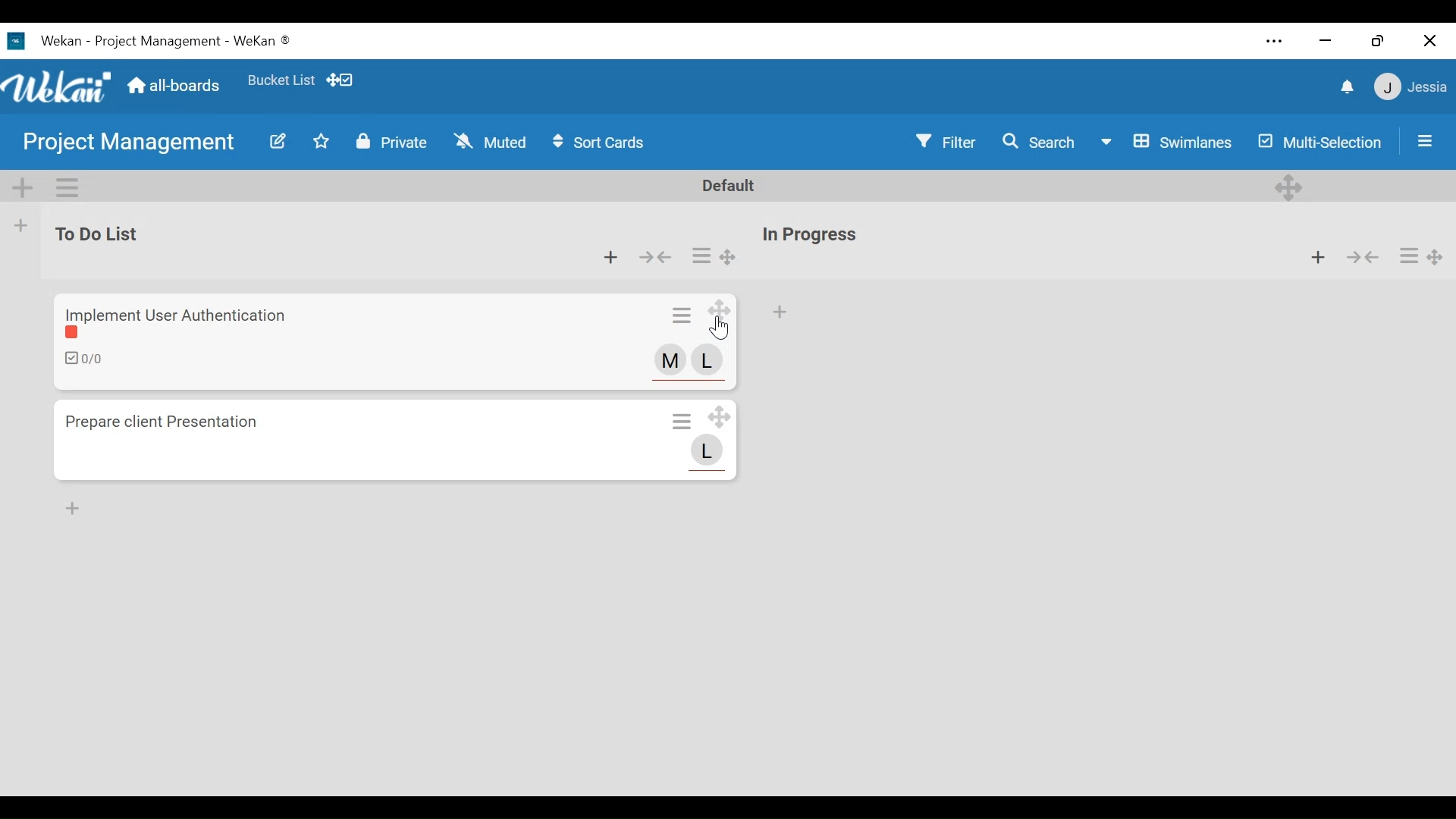 The image size is (1456, 819). I want to click on Collapse, so click(657, 258).